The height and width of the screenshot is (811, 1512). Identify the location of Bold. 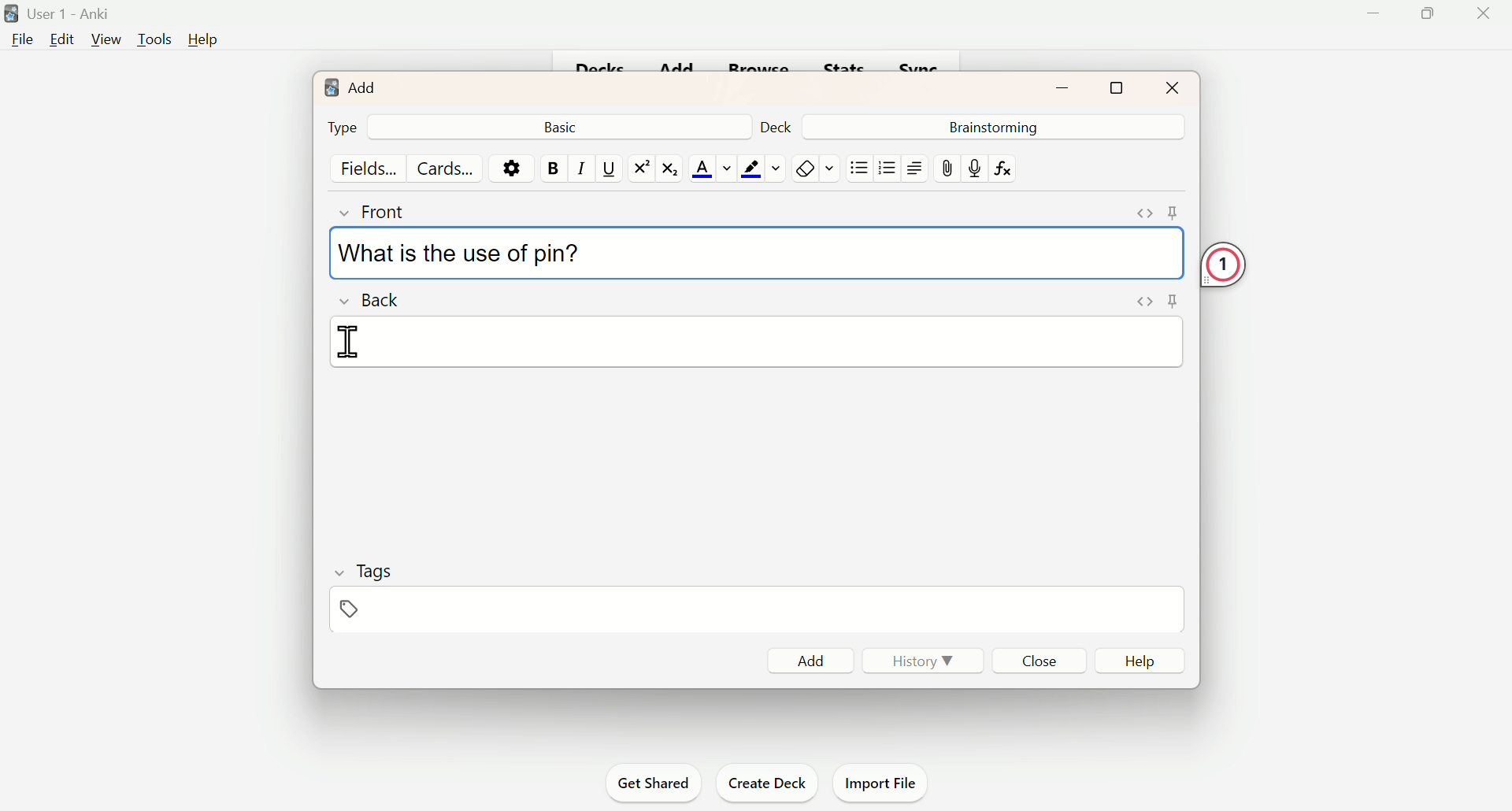
(552, 168).